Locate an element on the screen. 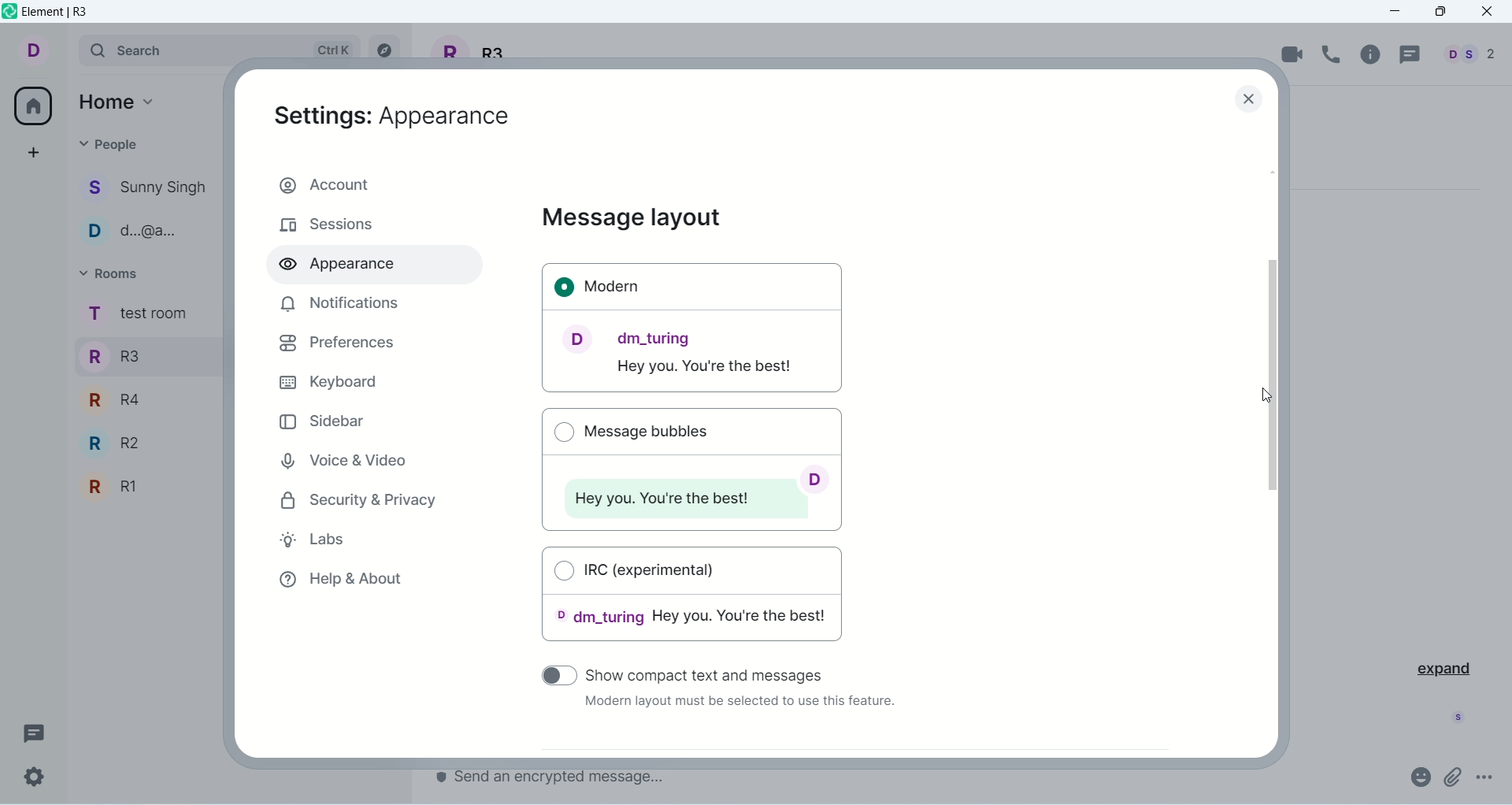 Image resolution: width=1512 pixels, height=805 pixels. sidebar is located at coordinates (324, 421).